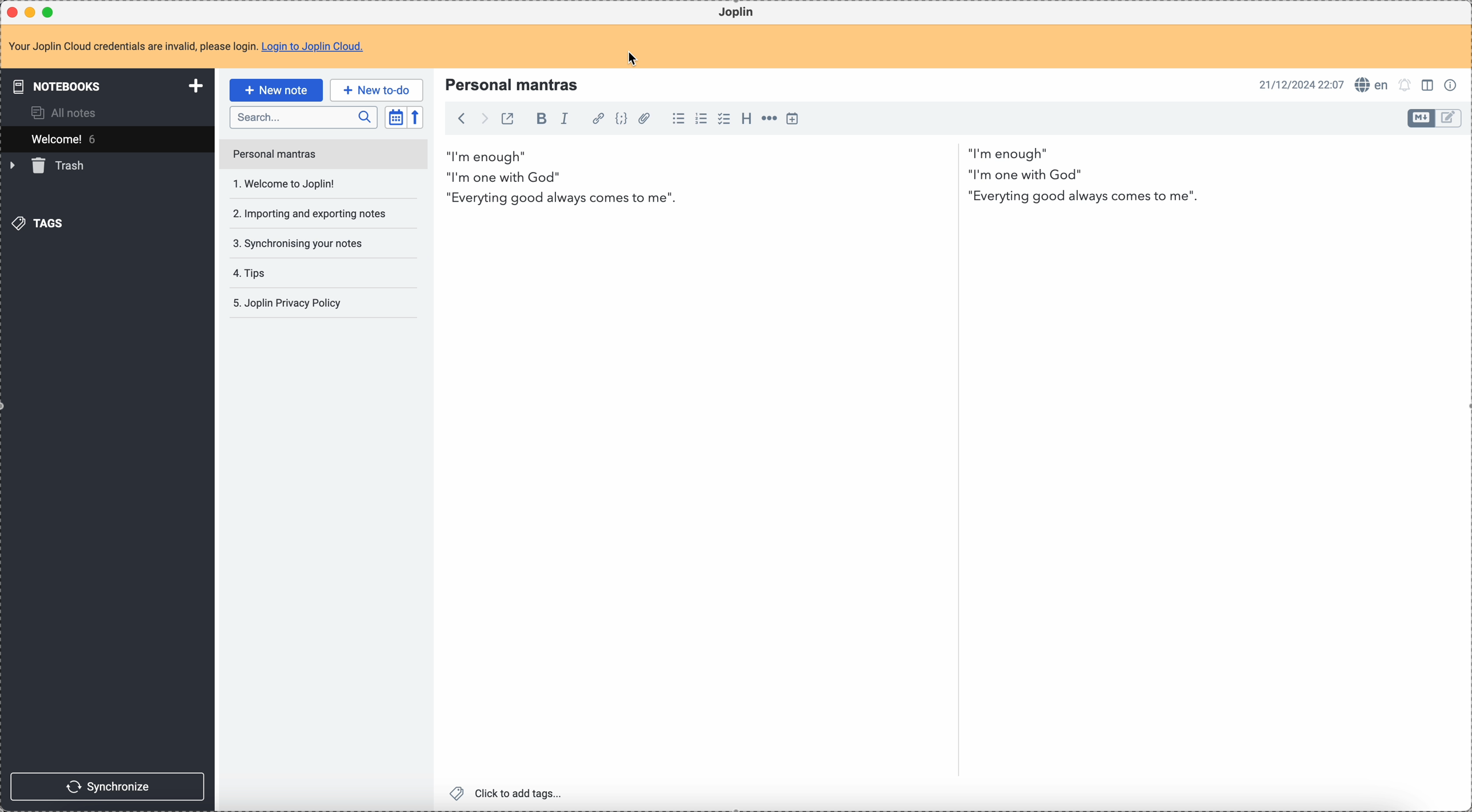 The image size is (1472, 812). I want to click on trash, so click(53, 165).